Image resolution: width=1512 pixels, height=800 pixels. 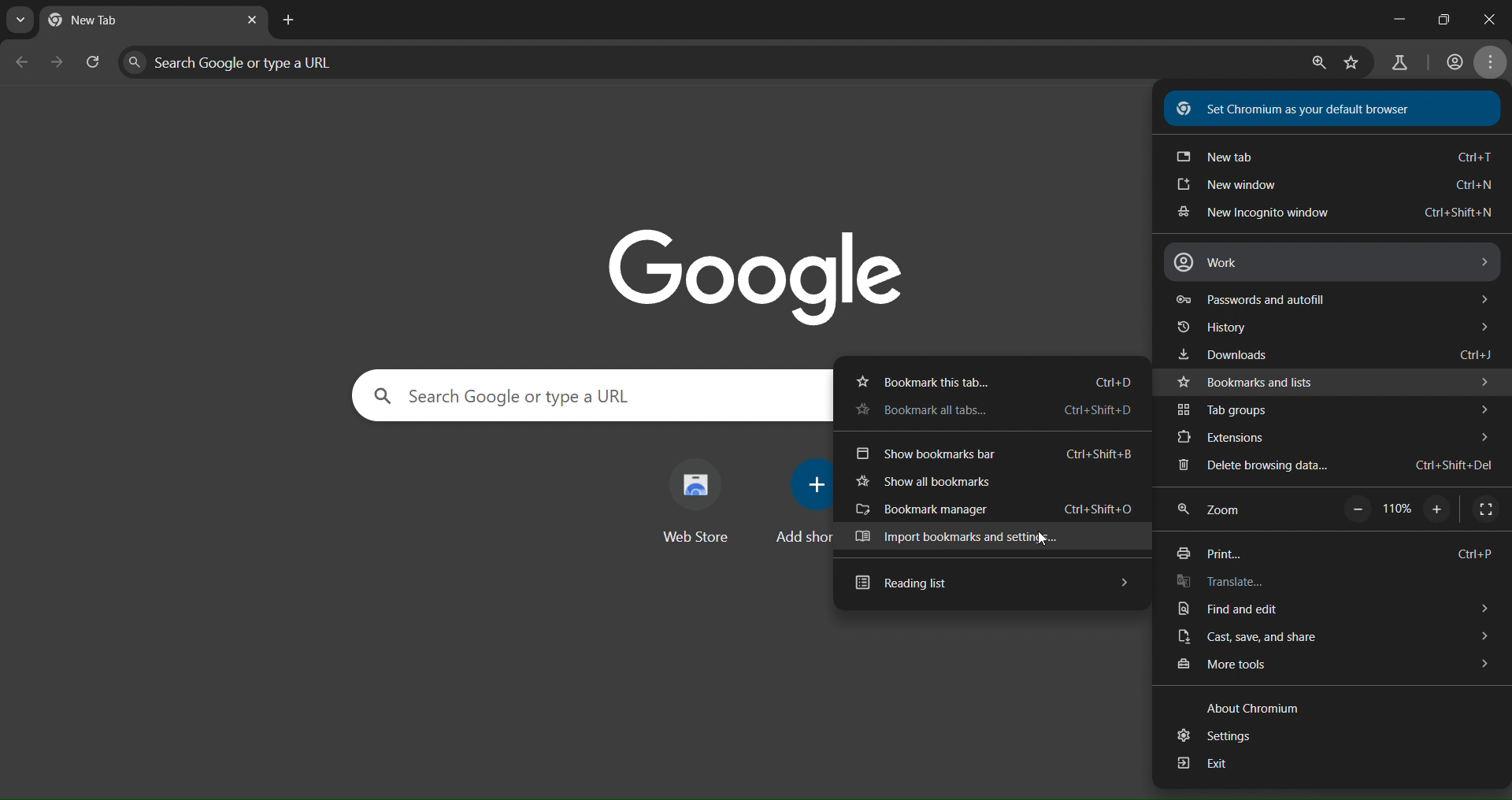 I want to click on add shortcut, so click(x=800, y=503).